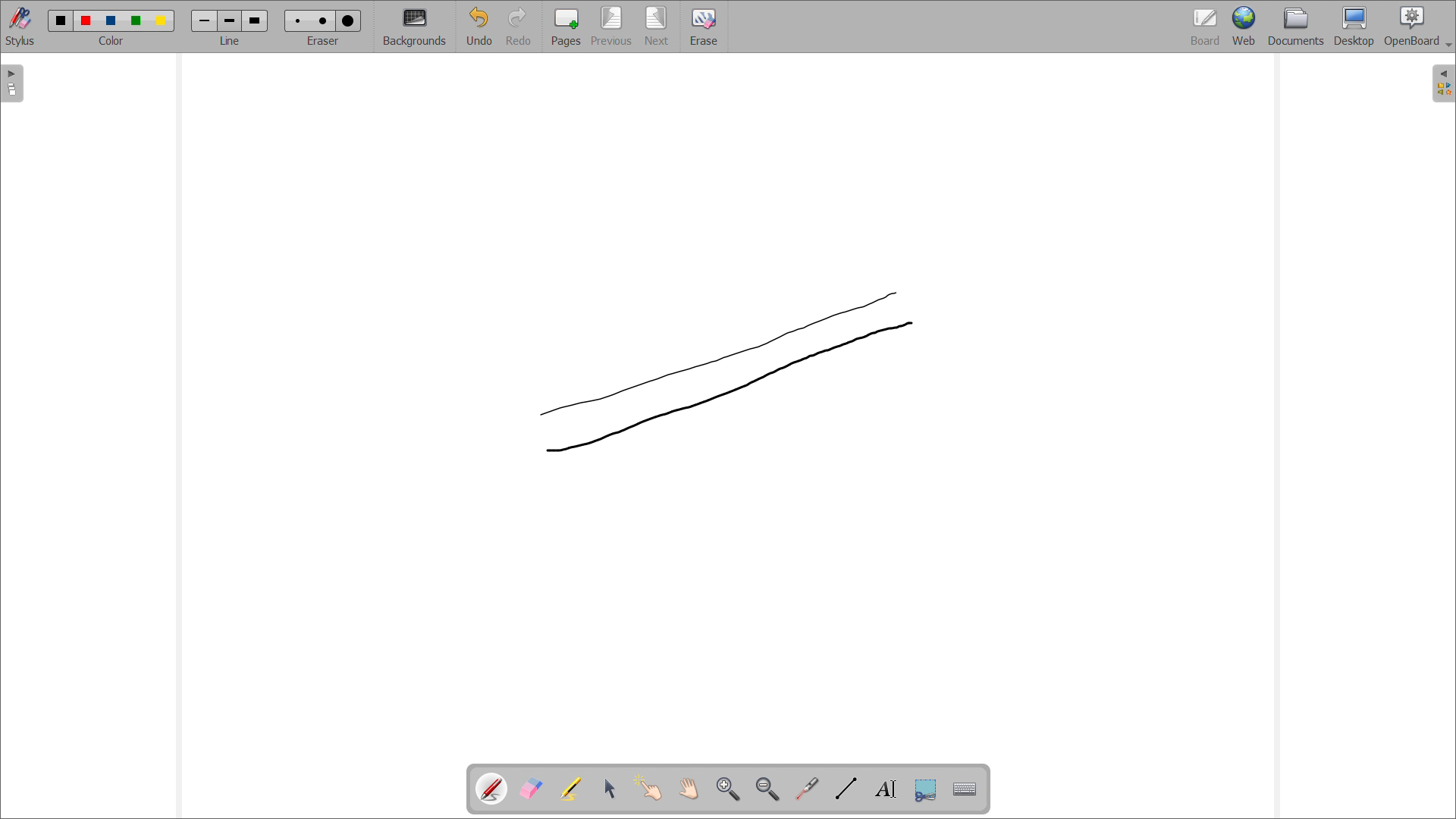  Describe the element at coordinates (1354, 27) in the screenshot. I see `desktop` at that location.